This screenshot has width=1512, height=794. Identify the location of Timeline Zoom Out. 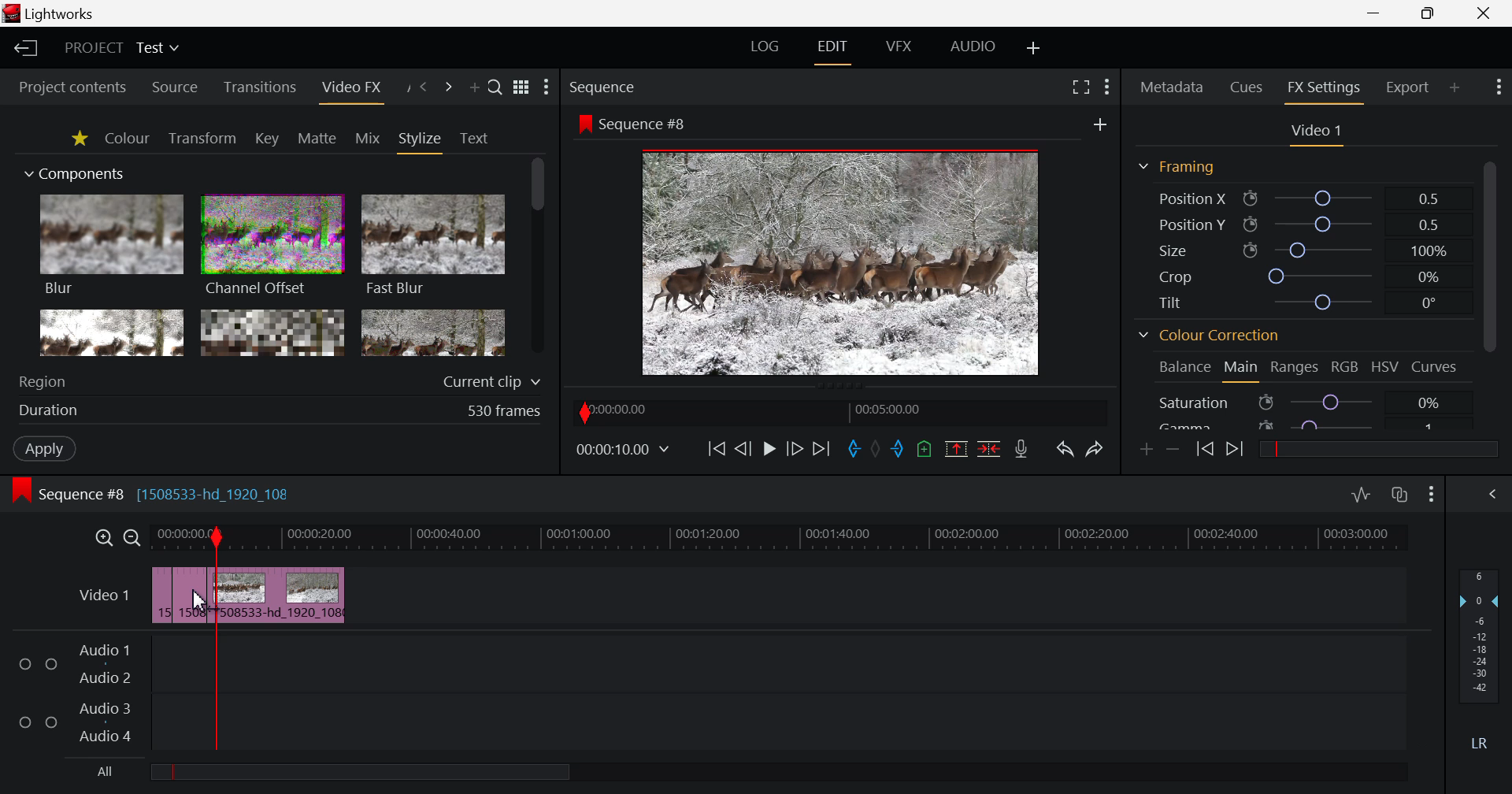
(133, 538).